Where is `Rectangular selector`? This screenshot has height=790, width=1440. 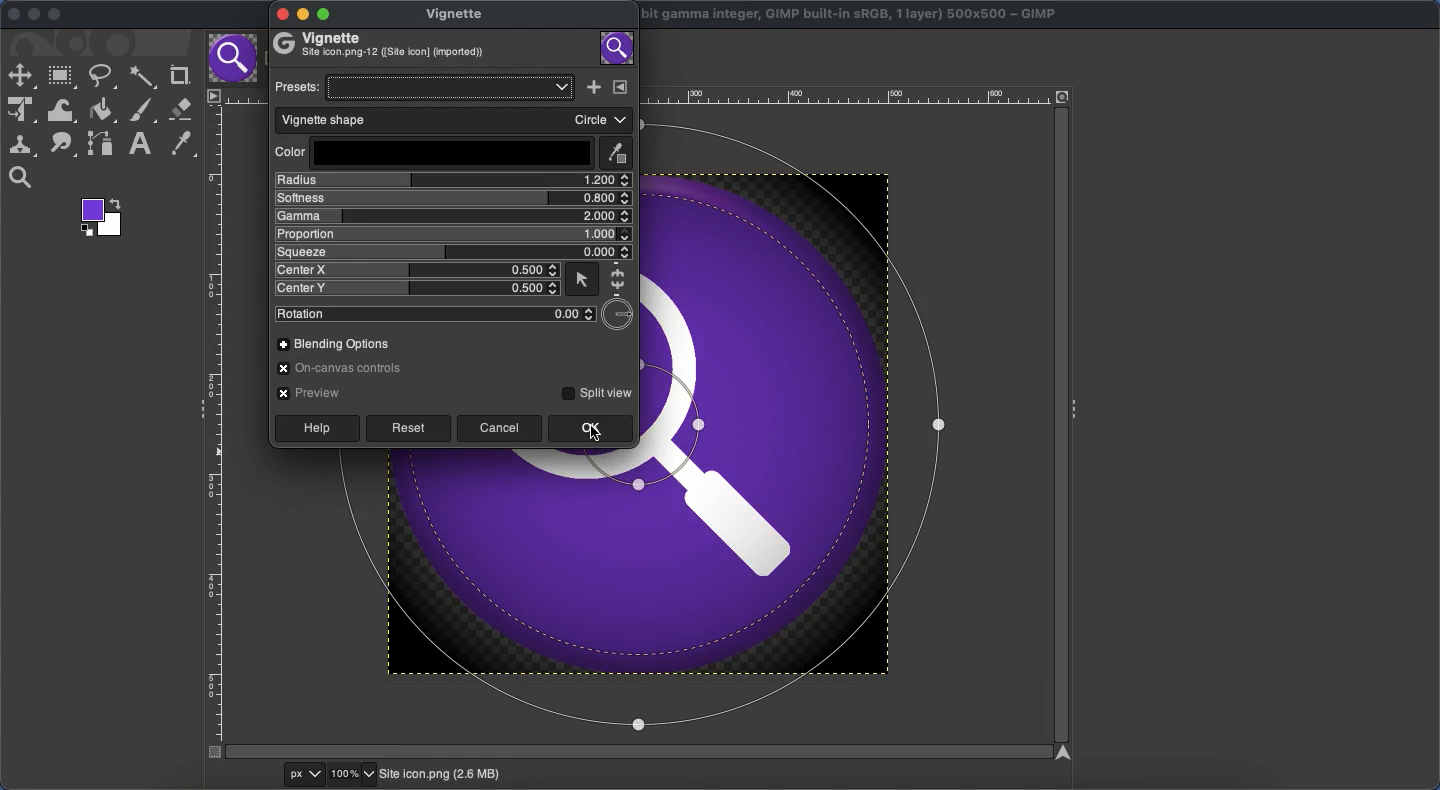
Rectangular selector is located at coordinates (62, 78).